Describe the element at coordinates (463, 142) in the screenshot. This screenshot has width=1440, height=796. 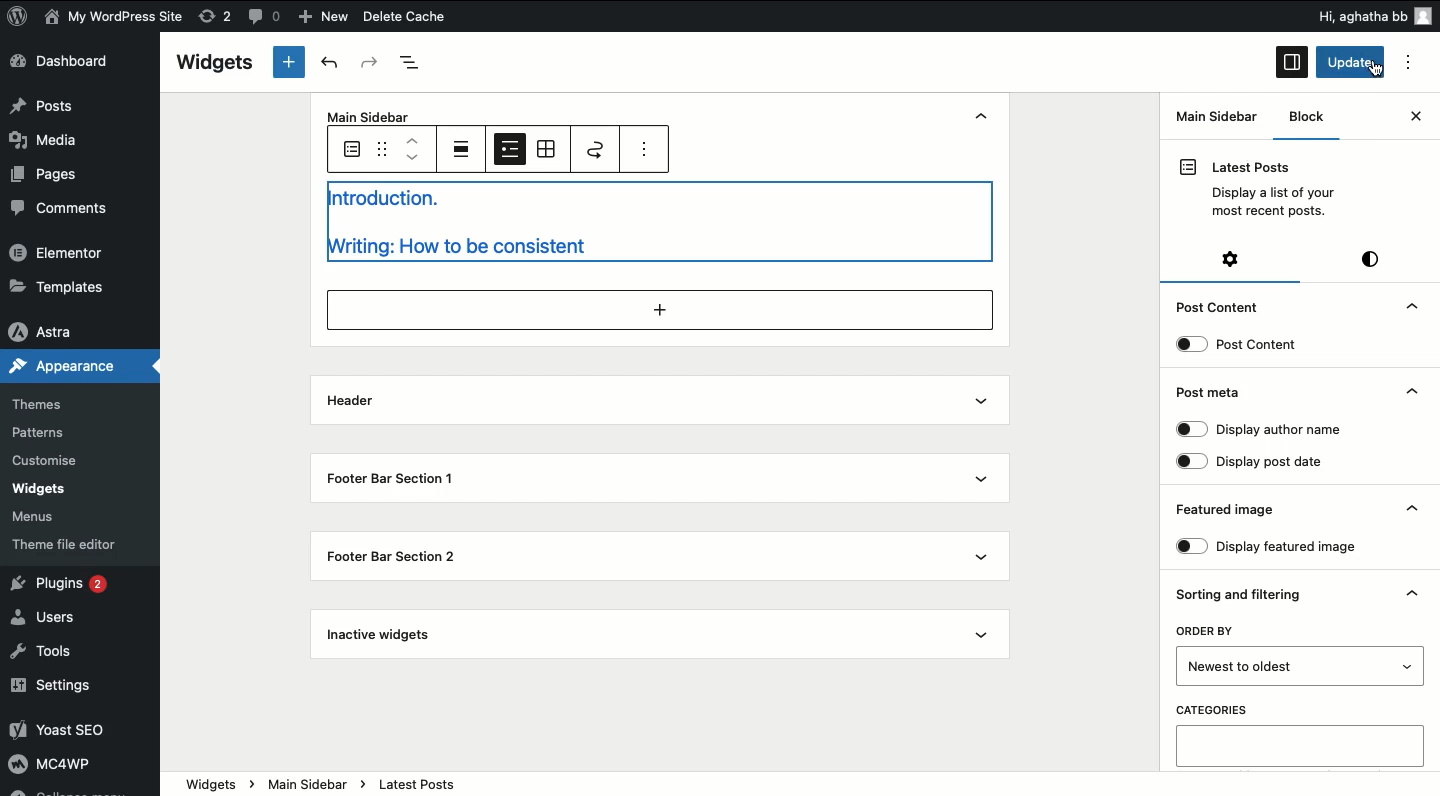
I see `Align` at that location.